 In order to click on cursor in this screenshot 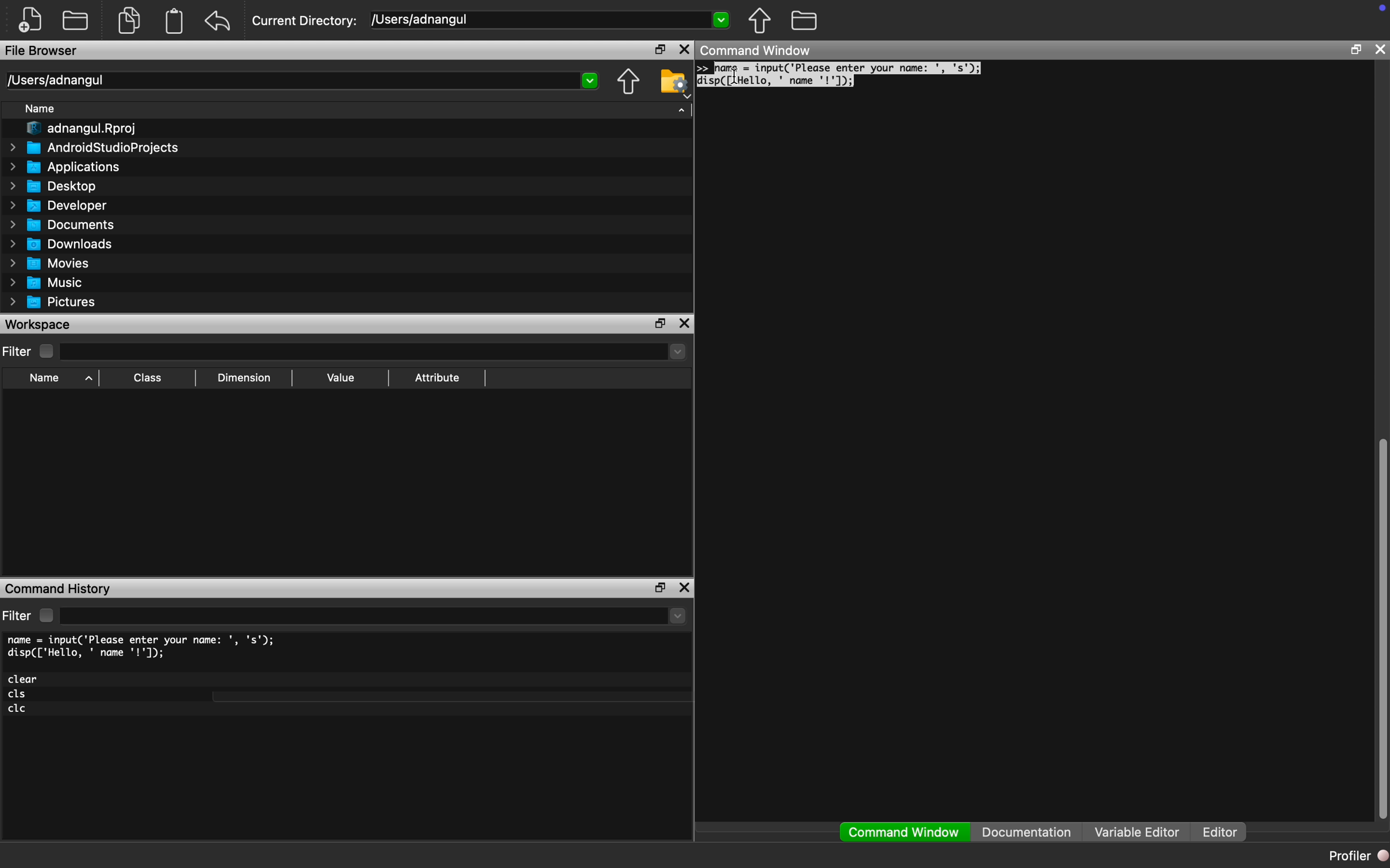, I will do `click(737, 76)`.